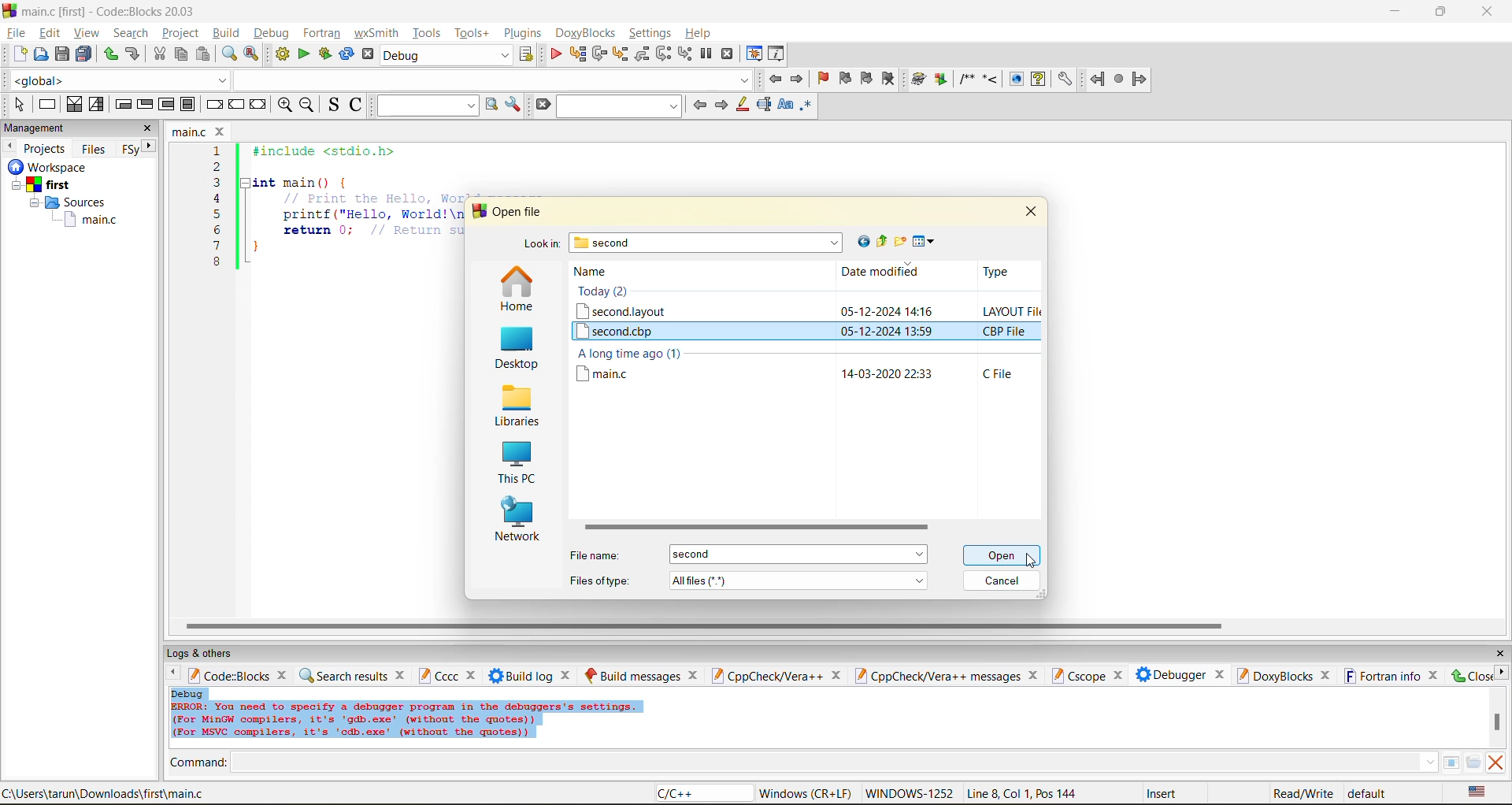 The height and width of the screenshot is (805, 1512). I want to click on down, so click(1429, 762).